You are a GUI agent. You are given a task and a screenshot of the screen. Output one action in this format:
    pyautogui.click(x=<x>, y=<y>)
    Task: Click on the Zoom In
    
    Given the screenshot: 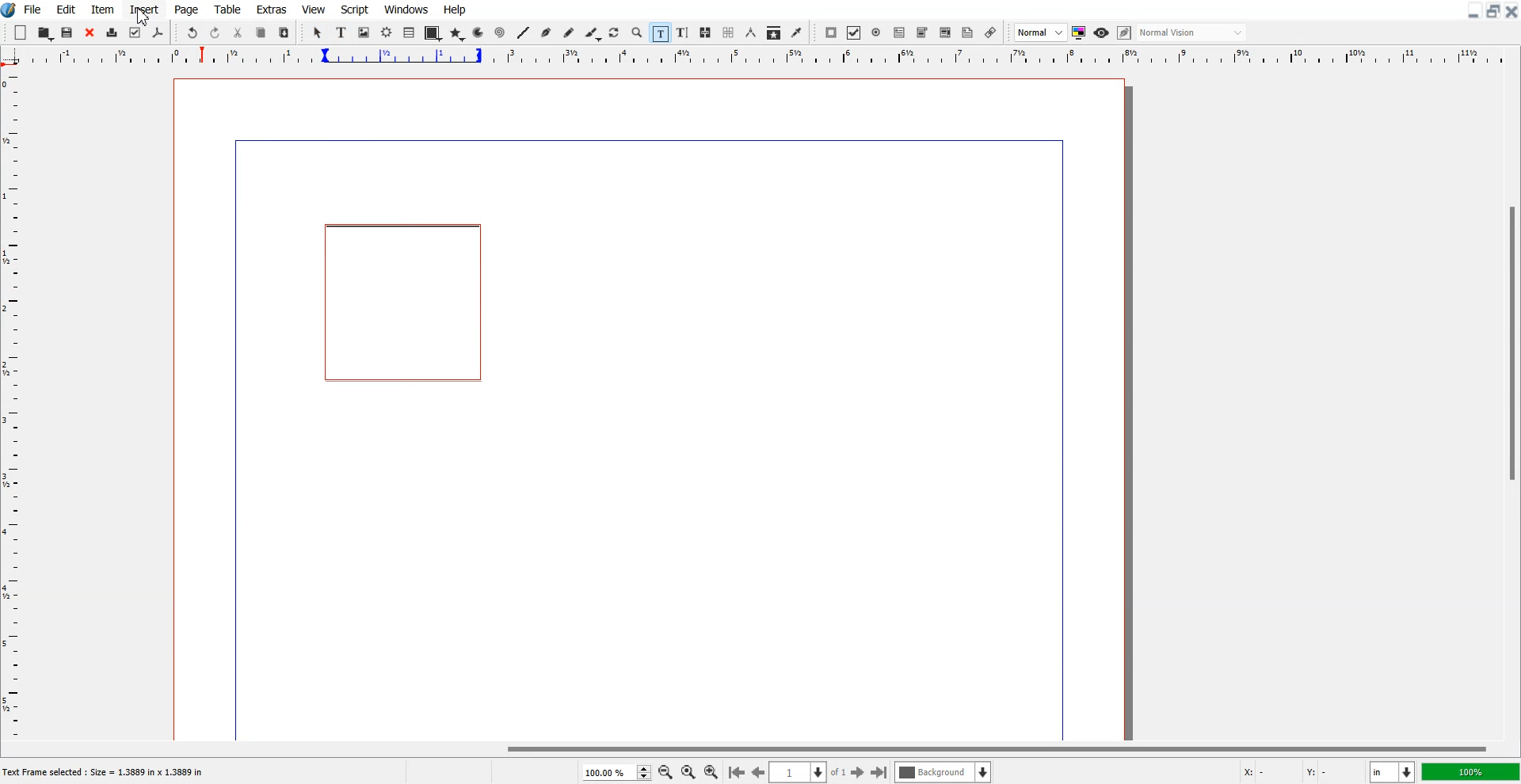 What is the action you would take?
    pyautogui.click(x=711, y=771)
    